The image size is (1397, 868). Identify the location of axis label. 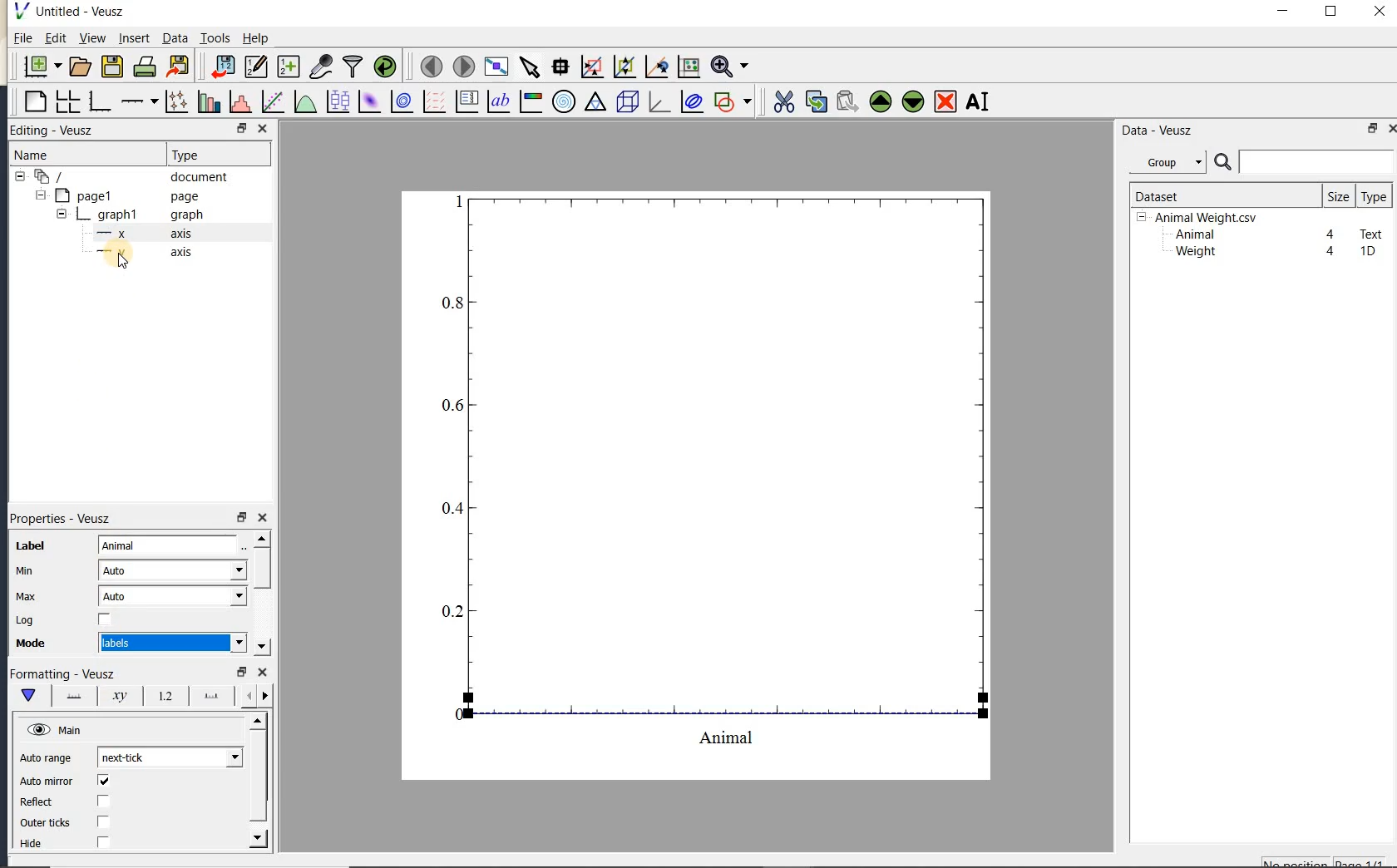
(116, 696).